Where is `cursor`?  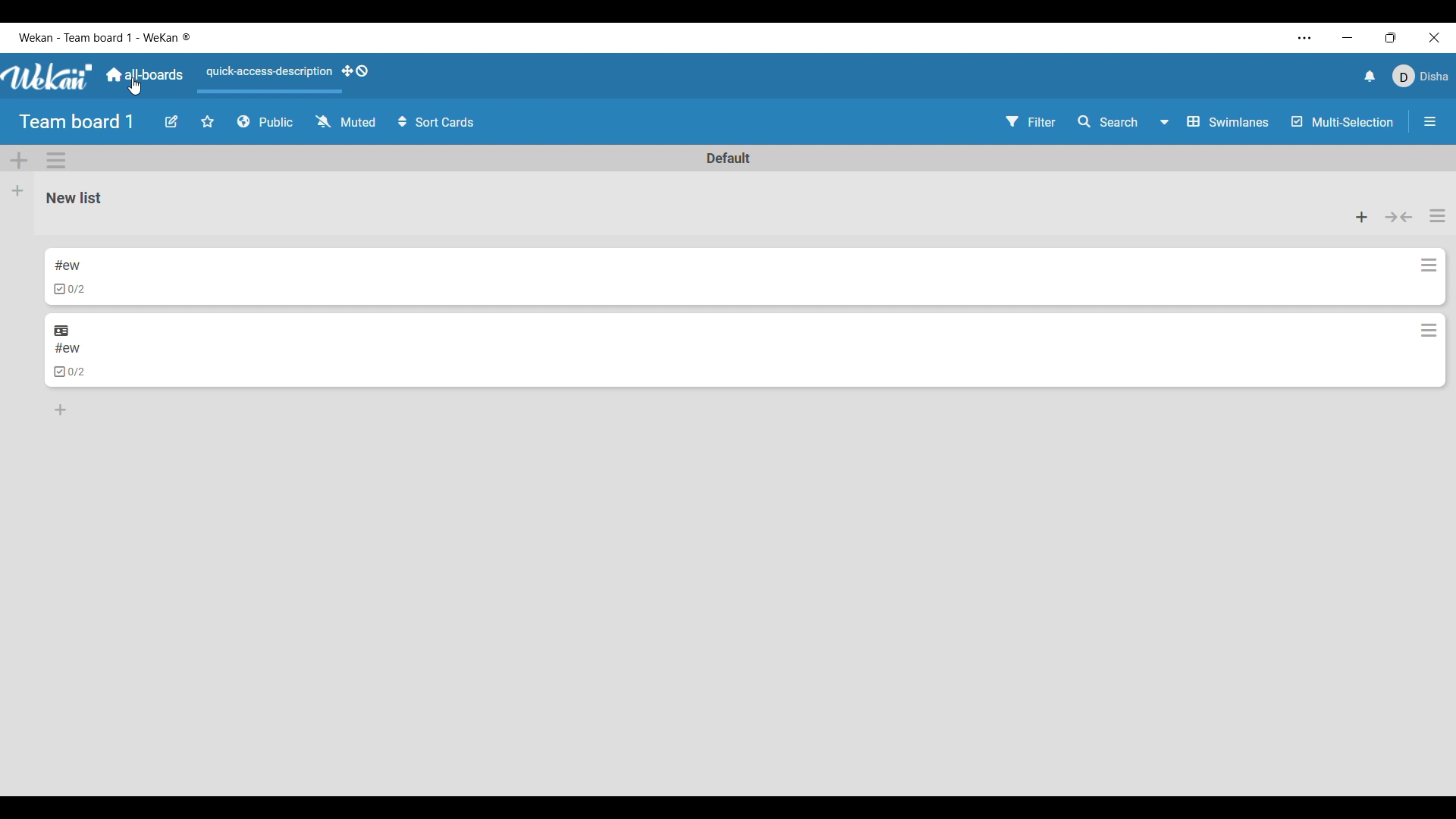
cursor is located at coordinates (134, 86).